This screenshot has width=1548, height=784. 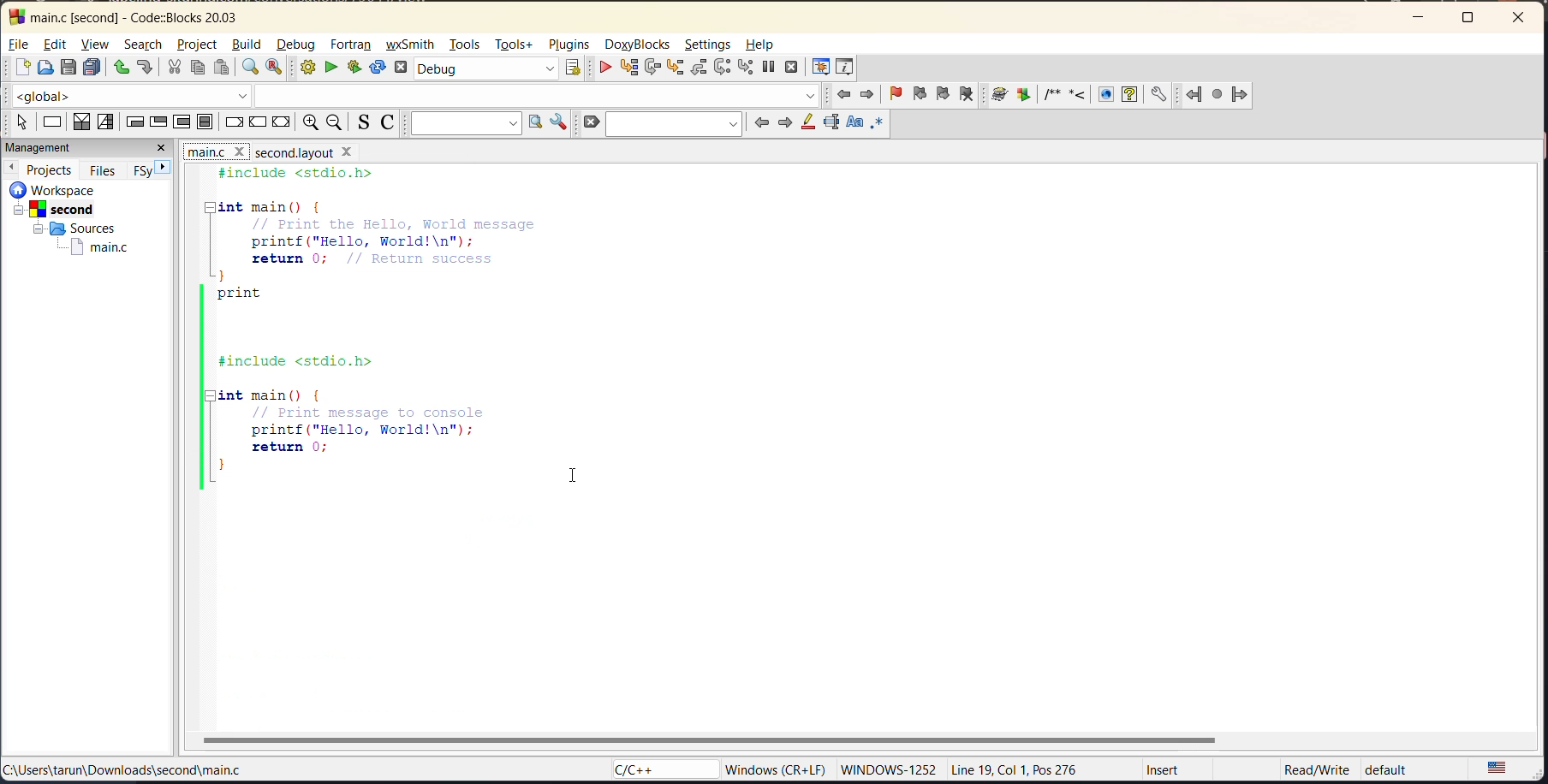 I want to click on use regex, so click(x=877, y=124).